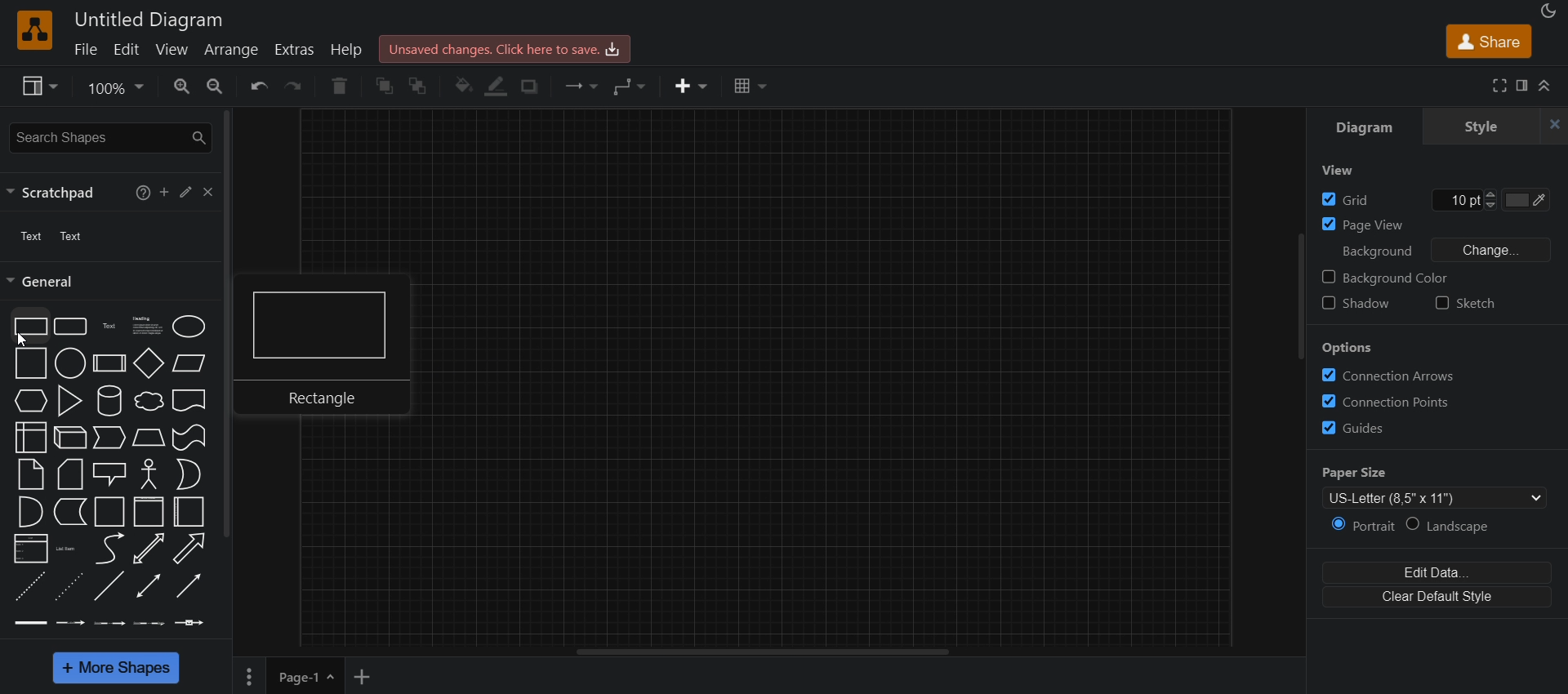 The width and height of the screenshot is (1568, 694). I want to click on line, so click(109, 587).